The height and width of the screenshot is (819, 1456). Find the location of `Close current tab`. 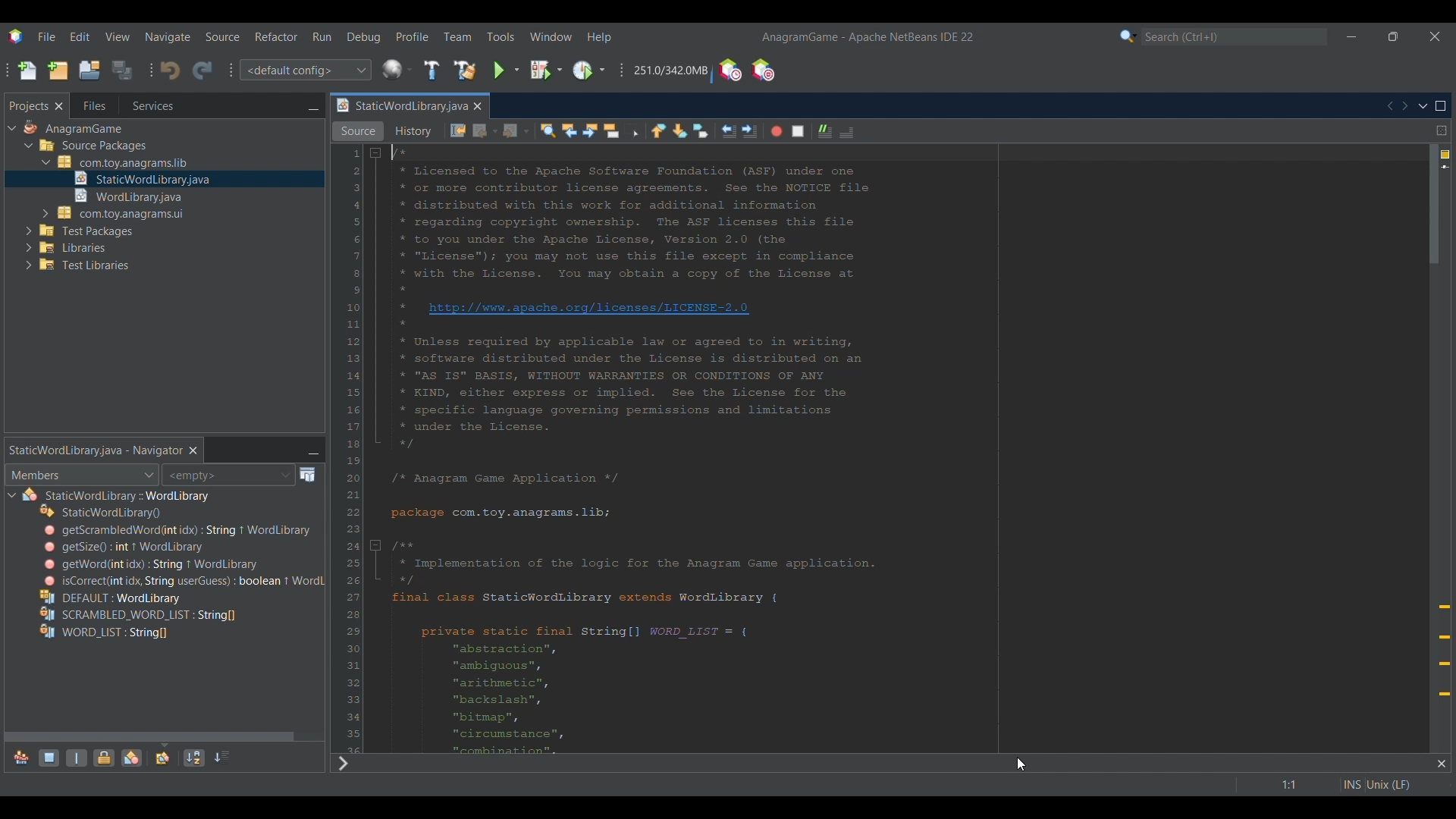

Close current tab is located at coordinates (477, 106).